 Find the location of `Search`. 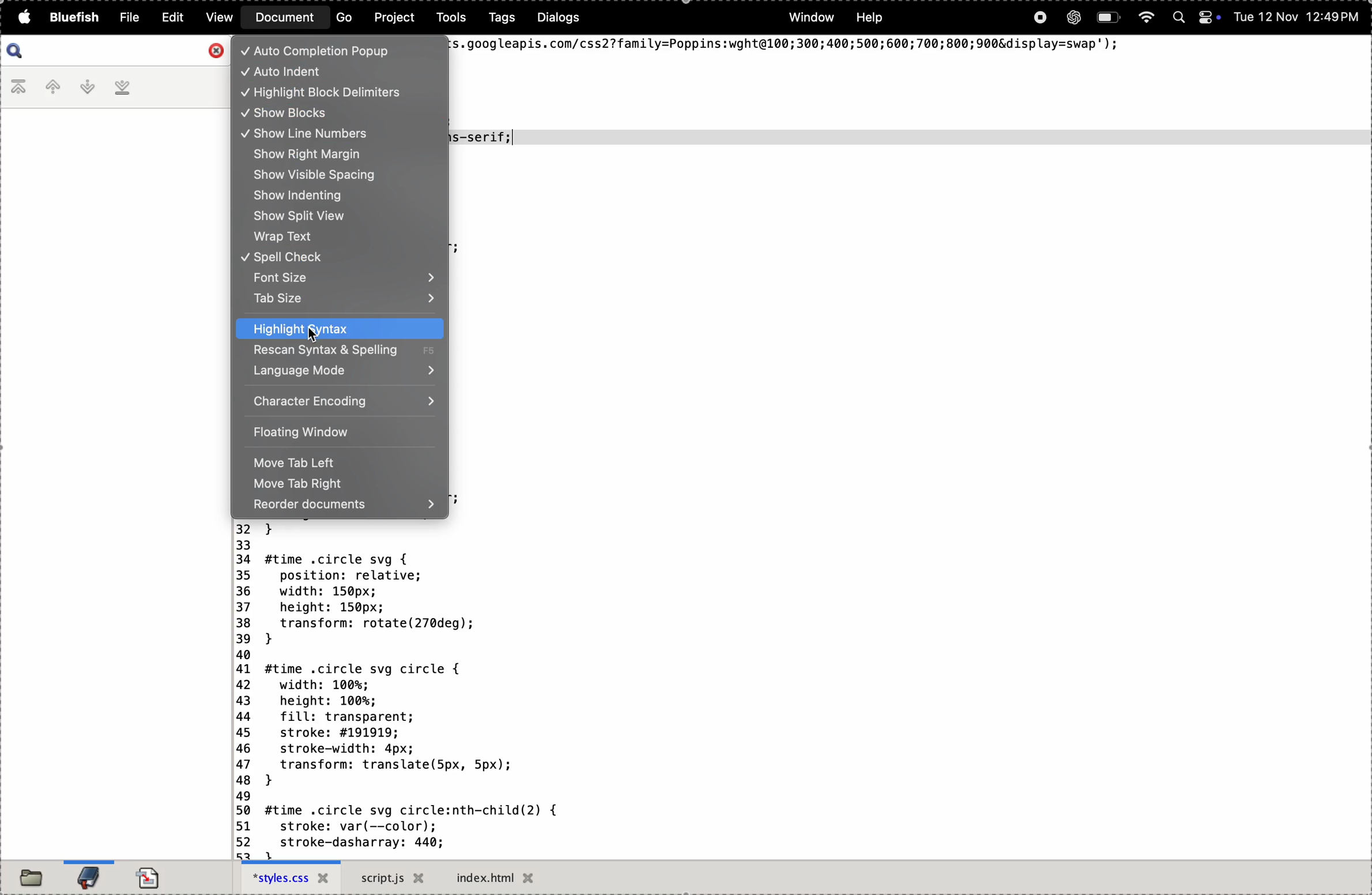

Search is located at coordinates (16, 51).